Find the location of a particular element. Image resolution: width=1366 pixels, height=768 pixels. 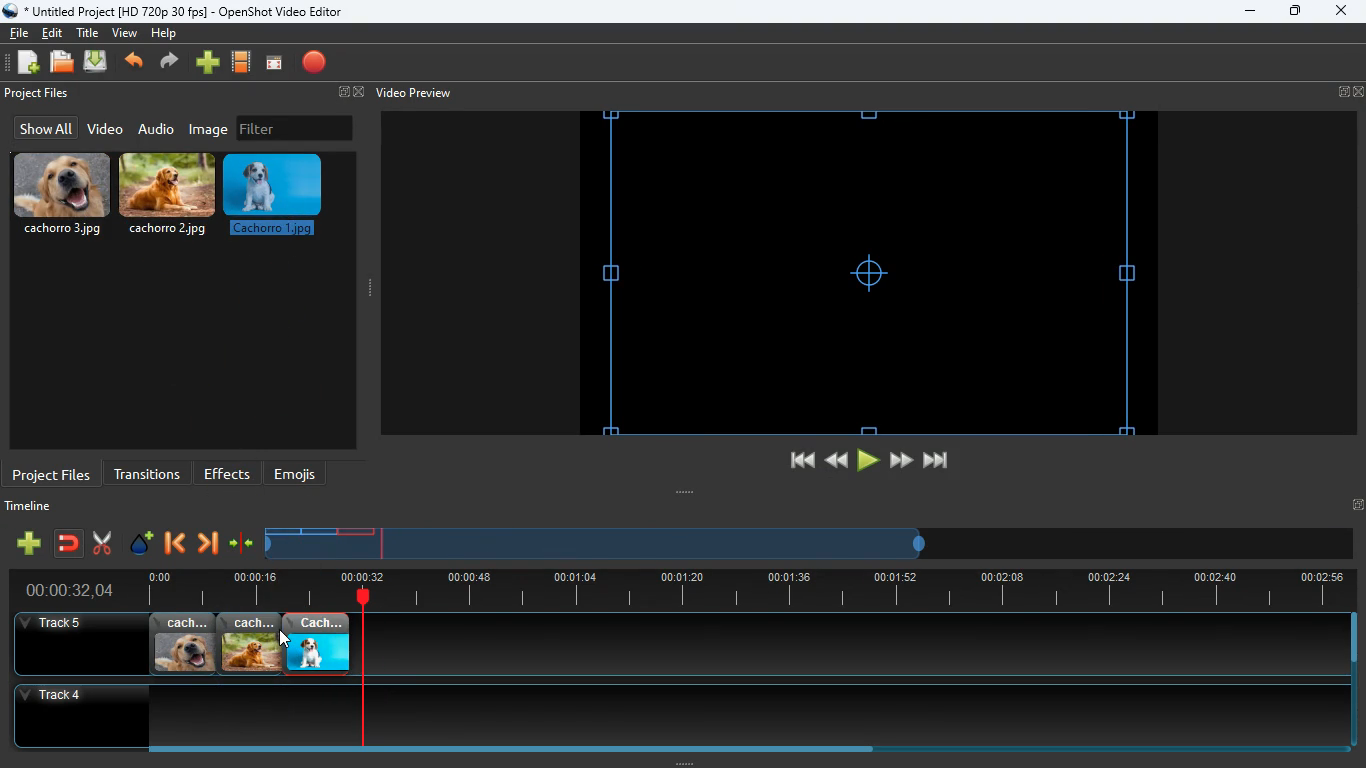

maximize is located at coordinates (1296, 13).